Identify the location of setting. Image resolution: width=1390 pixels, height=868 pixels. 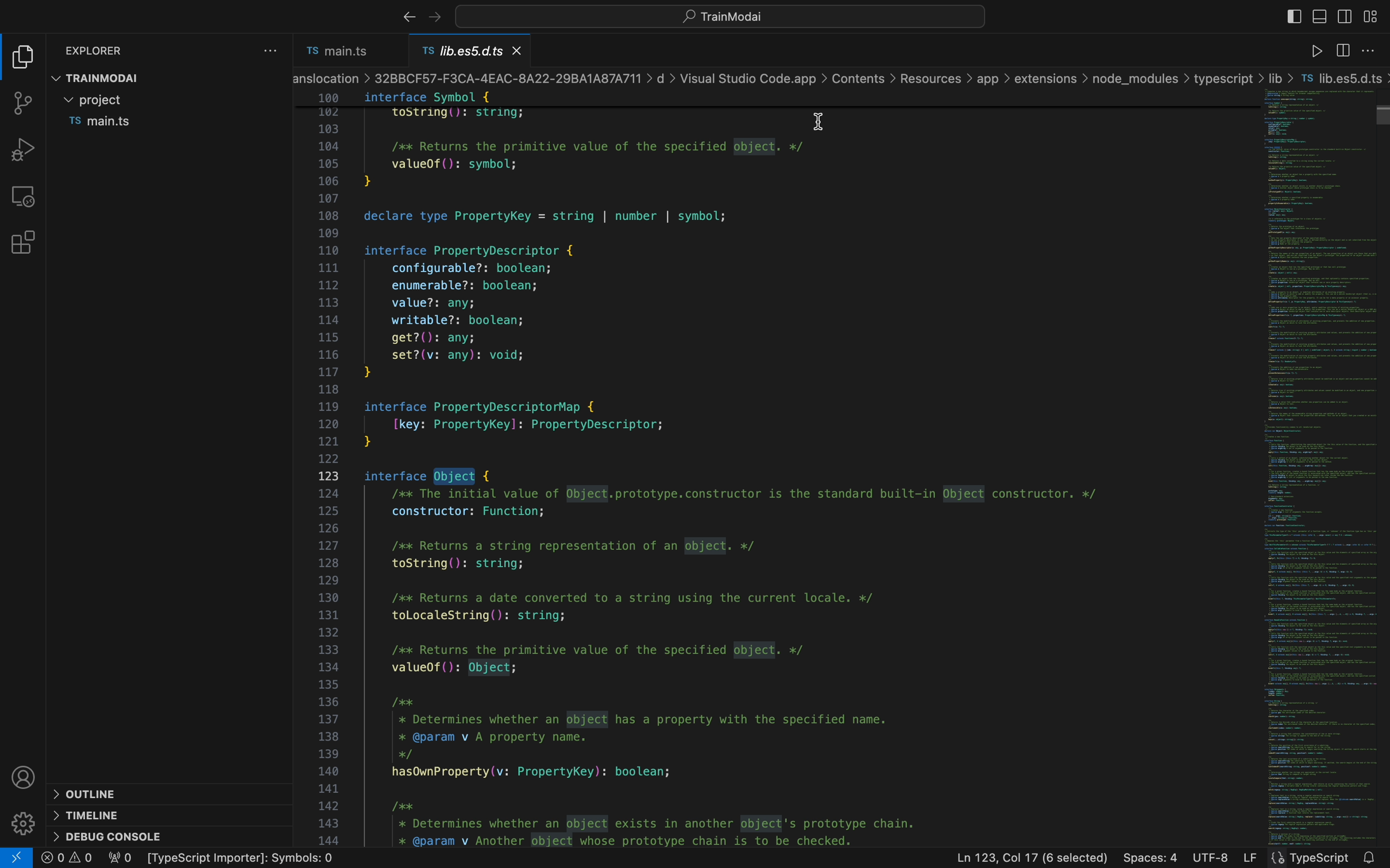
(1372, 48).